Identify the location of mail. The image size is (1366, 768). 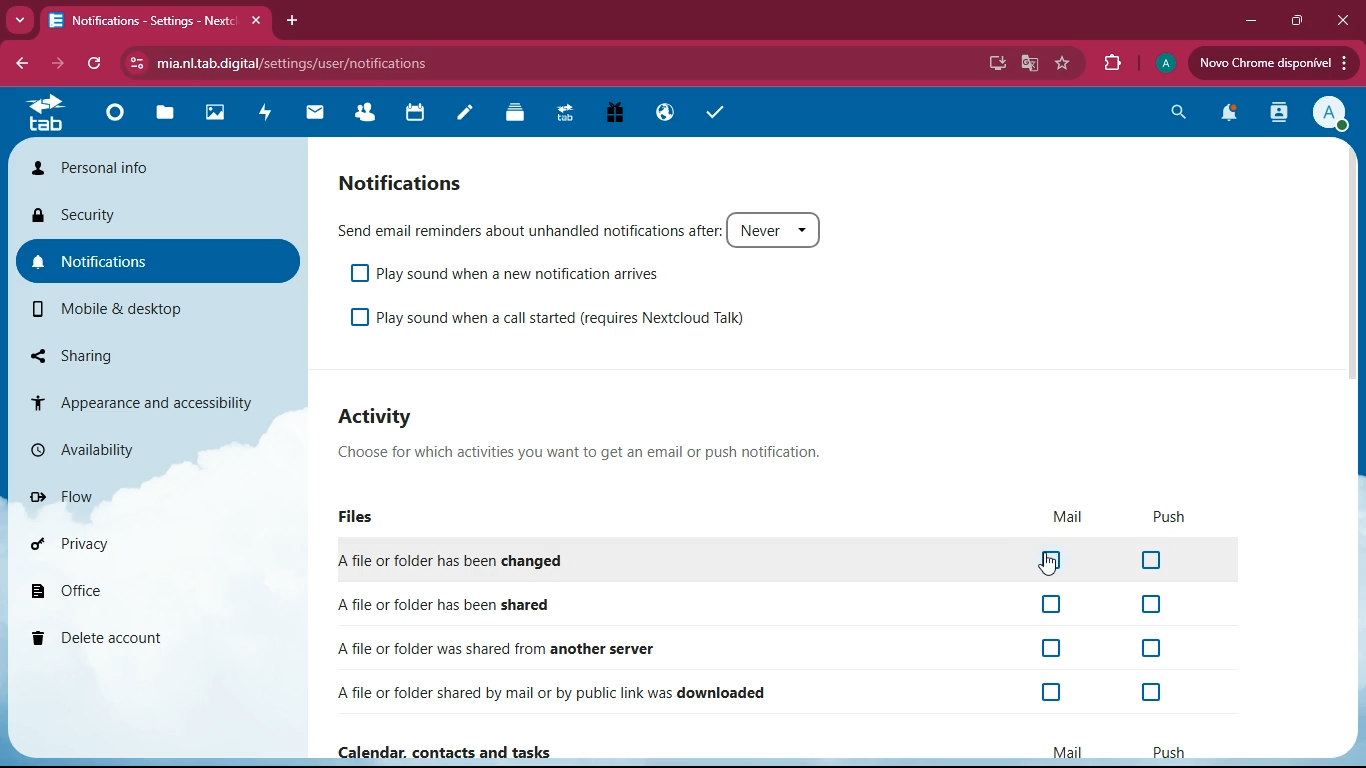
(1068, 517).